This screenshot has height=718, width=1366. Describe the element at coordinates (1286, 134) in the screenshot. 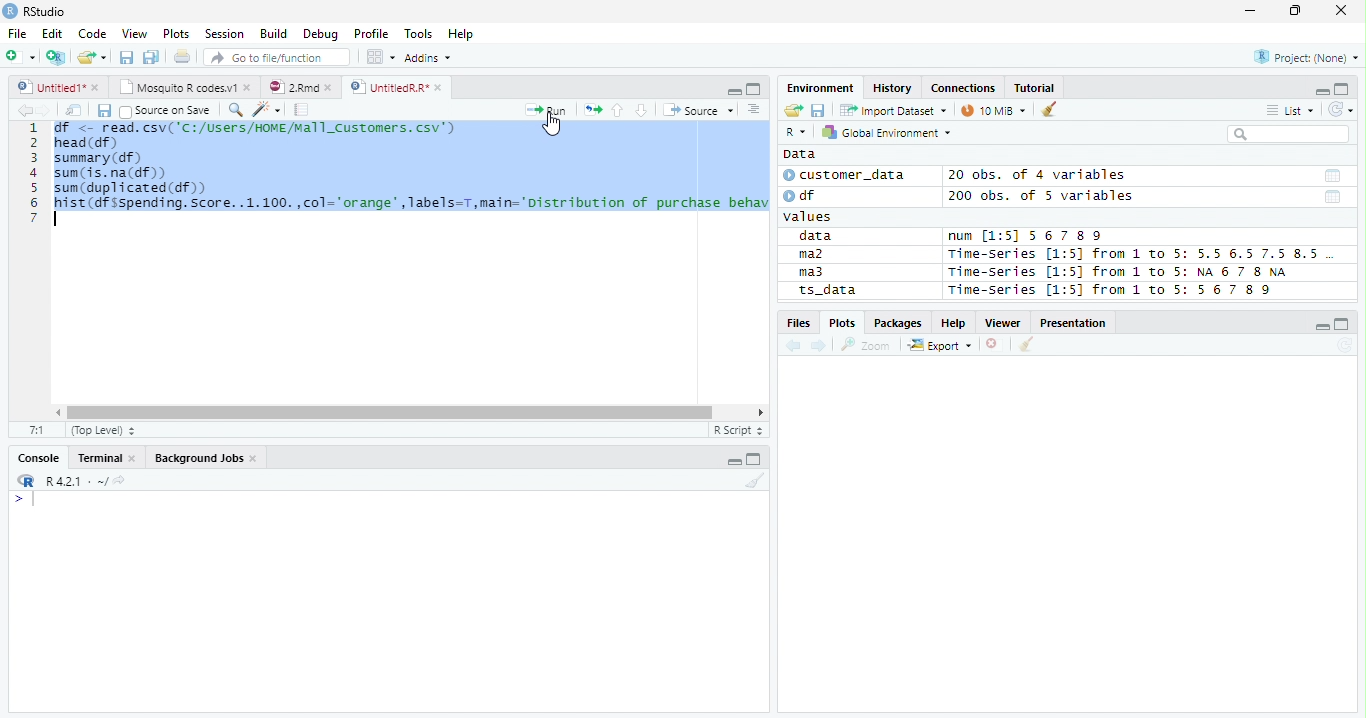

I see `Search` at that location.